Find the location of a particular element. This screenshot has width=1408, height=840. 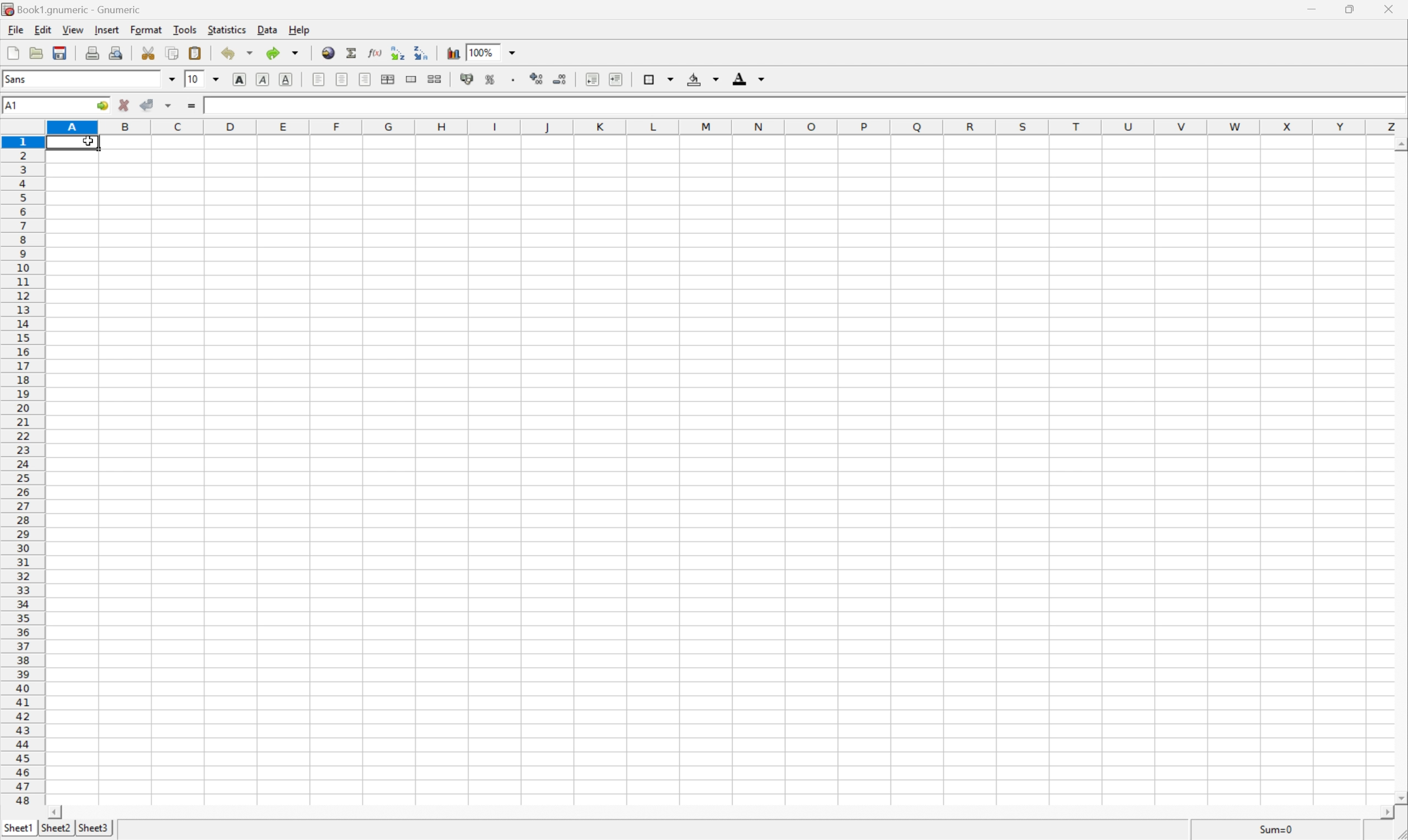

center horizontally is located at coordinates (390, 79).